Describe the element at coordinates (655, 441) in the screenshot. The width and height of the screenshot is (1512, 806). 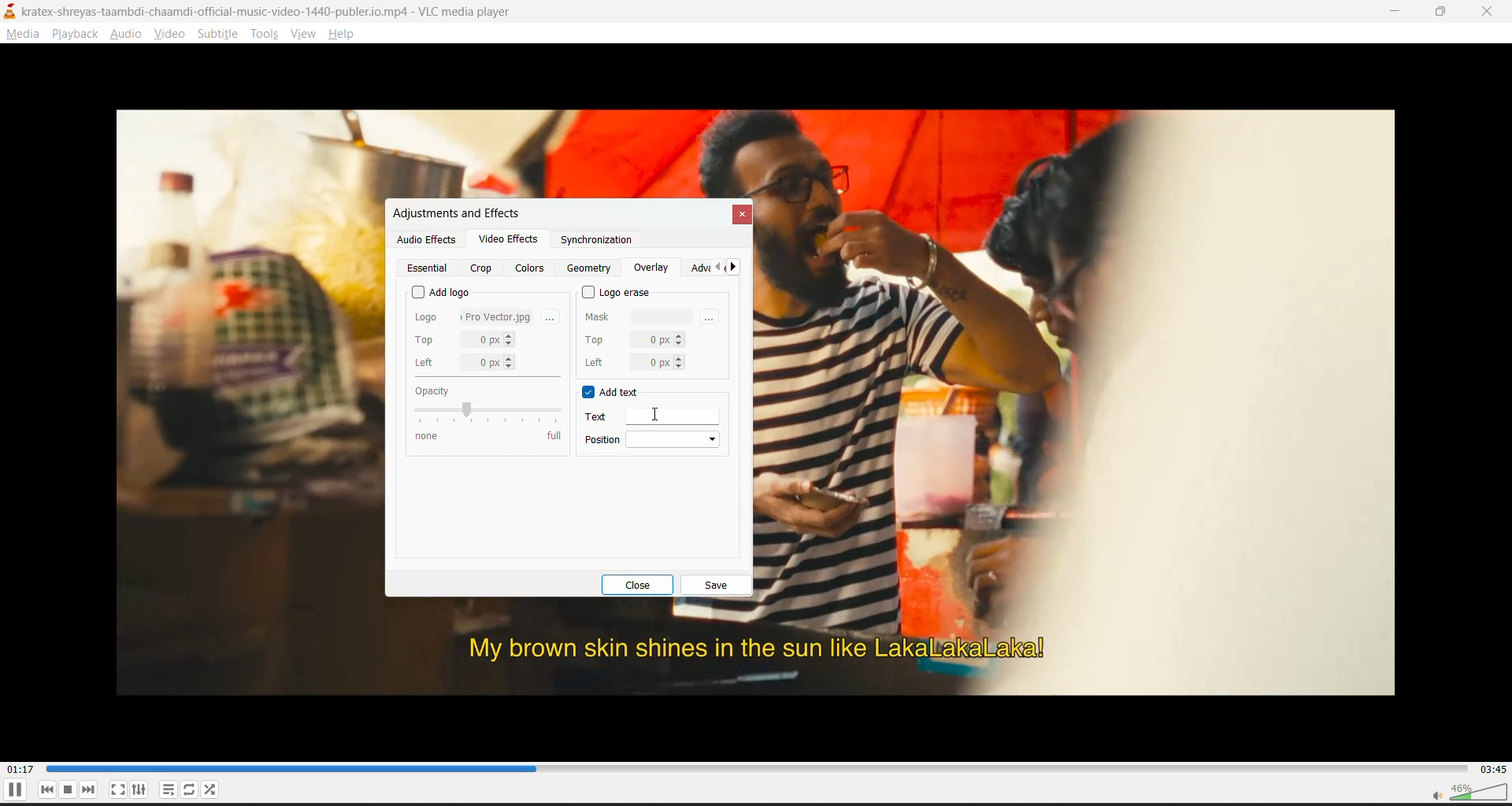
I see `position` at that location.